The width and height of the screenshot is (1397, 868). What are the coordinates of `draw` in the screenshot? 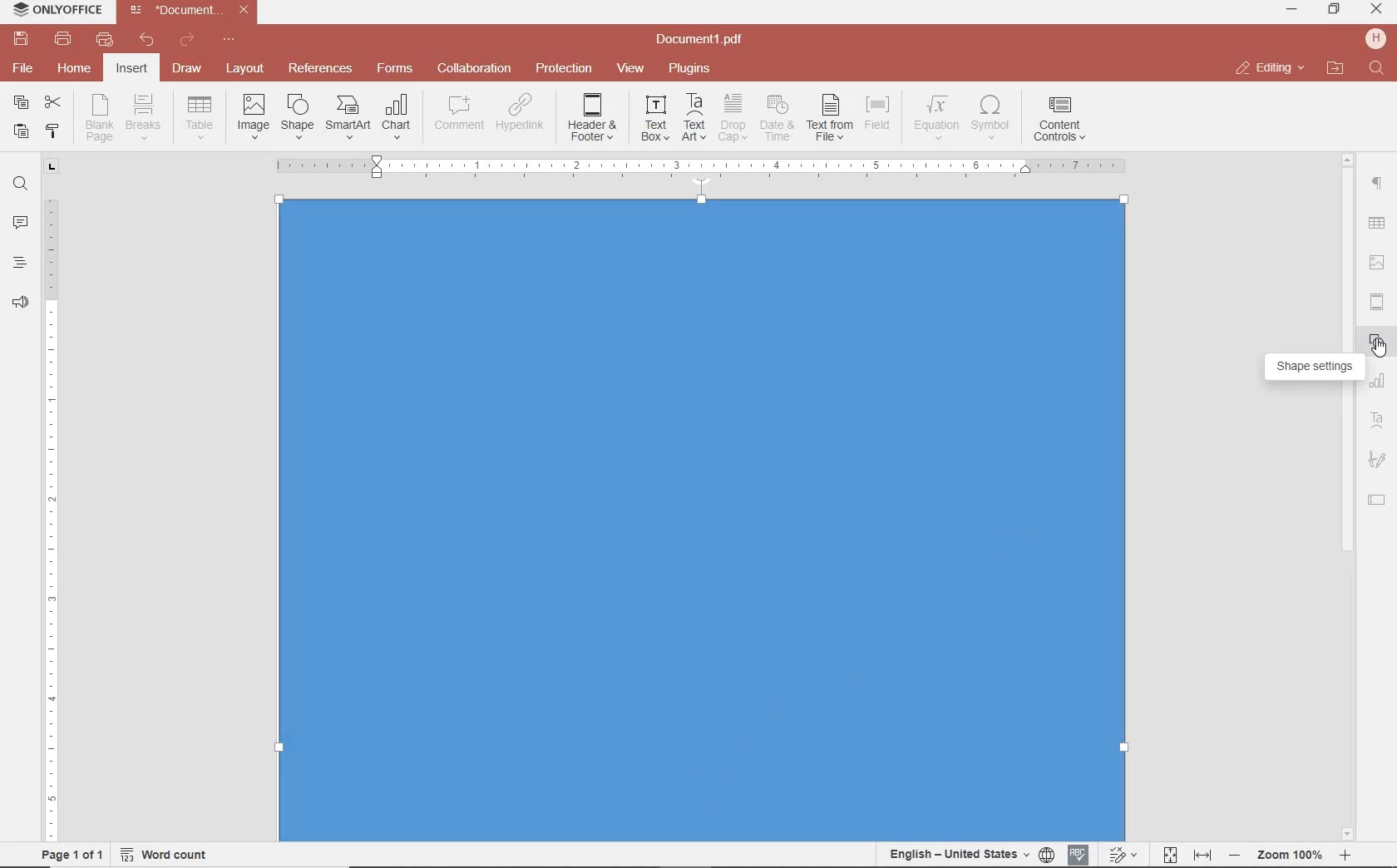 It's located at (188, 67).